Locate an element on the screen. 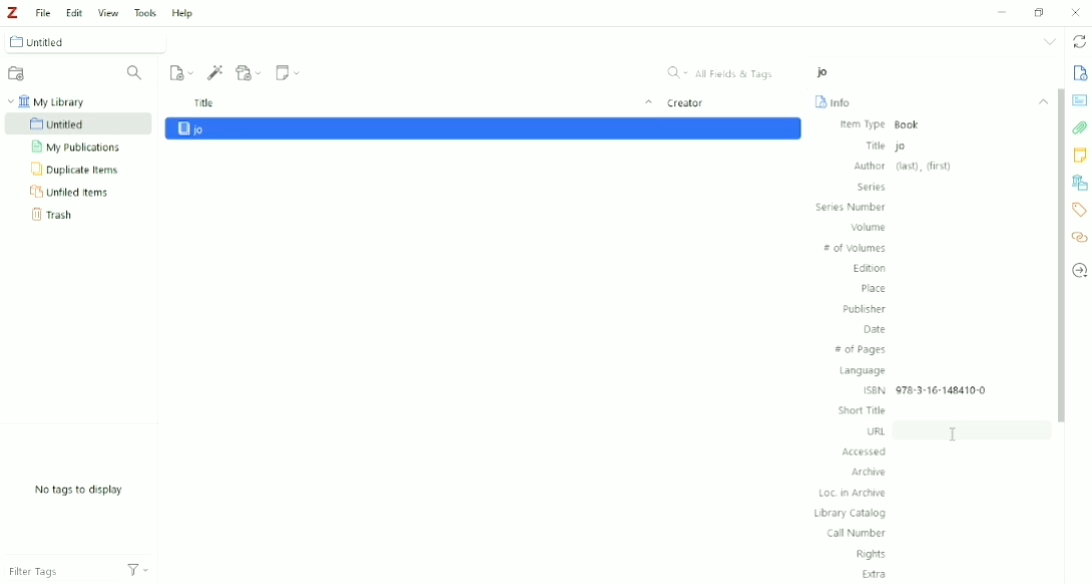 The image size is (1092, 584). View is located at coordinates (107, 14).